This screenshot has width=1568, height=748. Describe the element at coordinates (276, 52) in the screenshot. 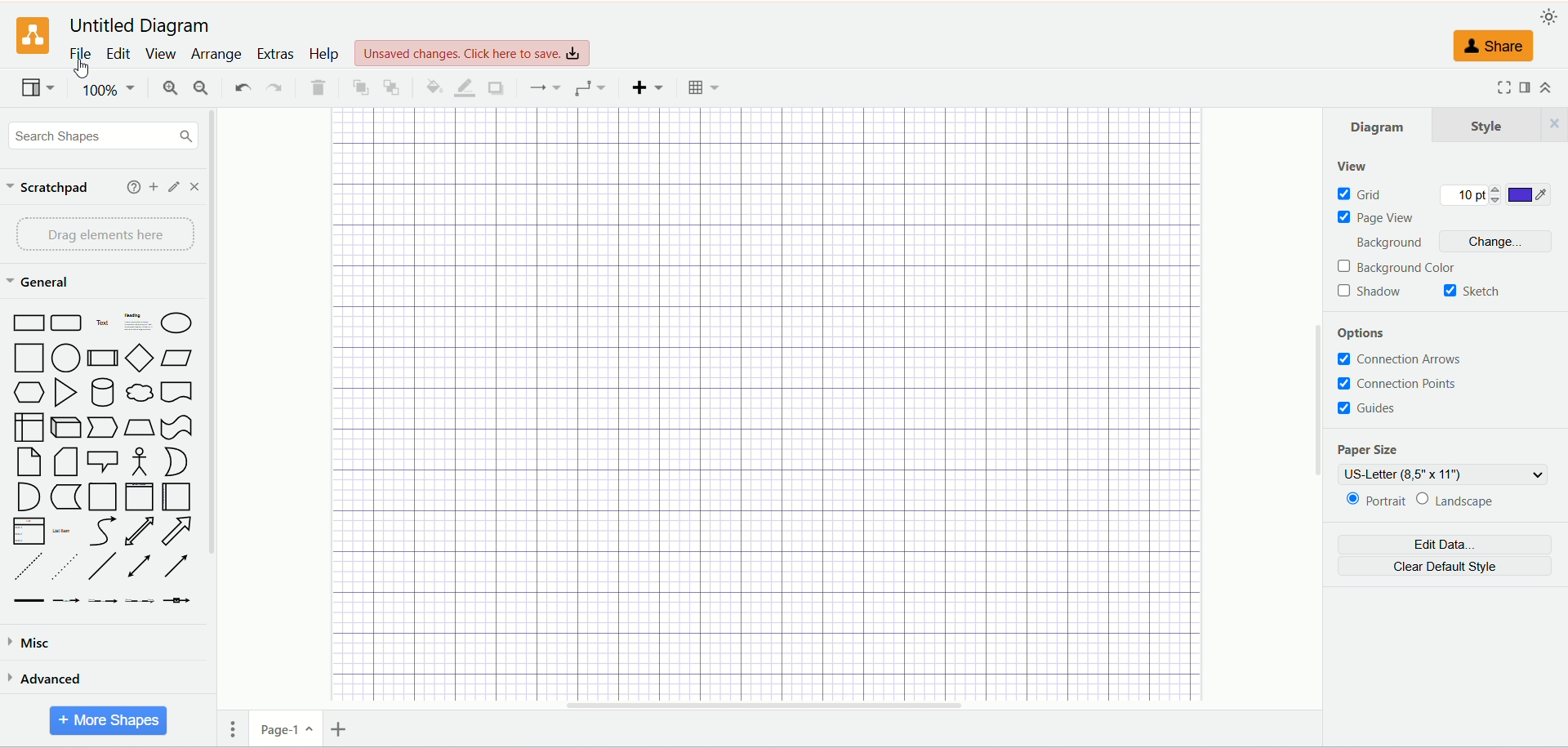

I see `extras` at that location.